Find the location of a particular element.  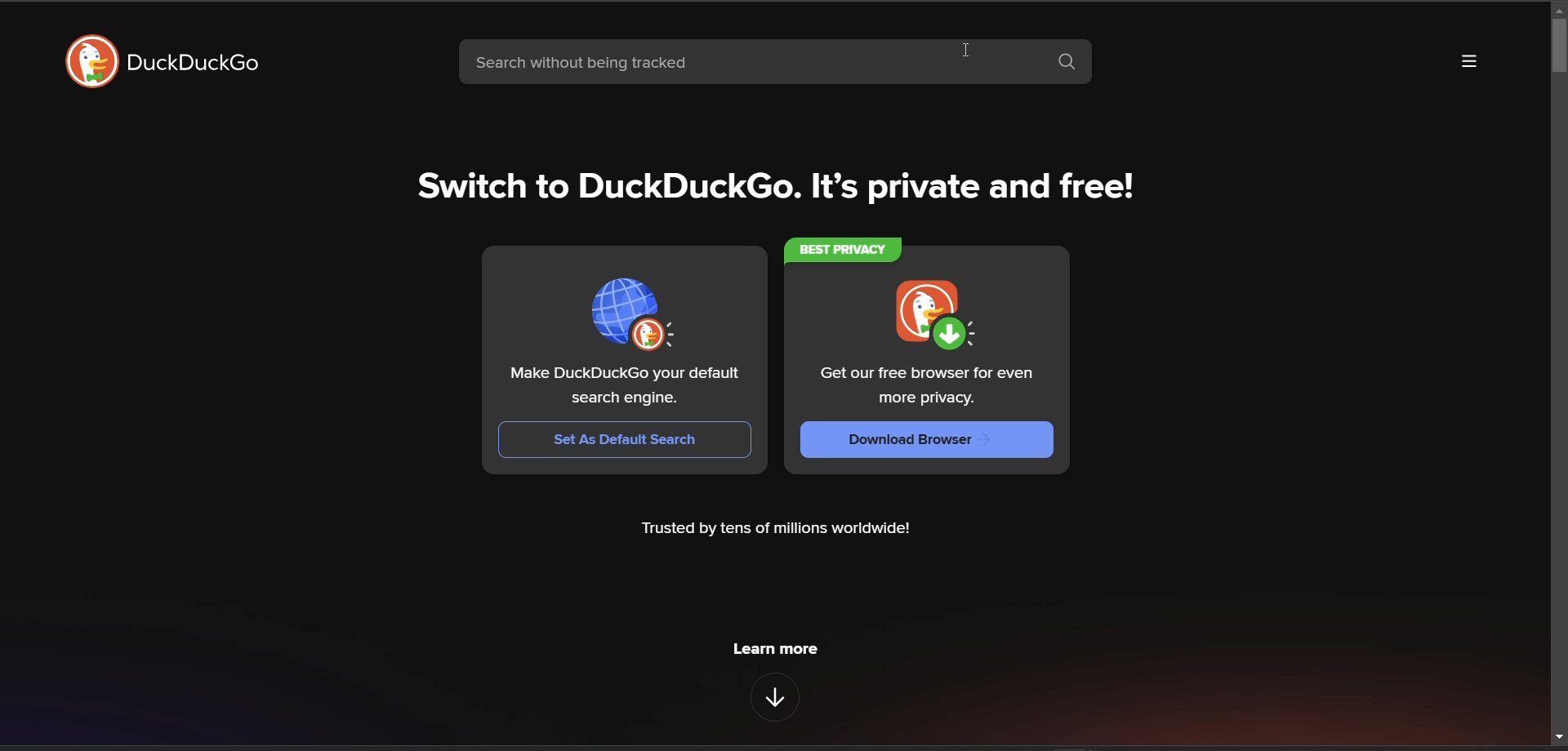

search button is located at coordinates (1069, 62).